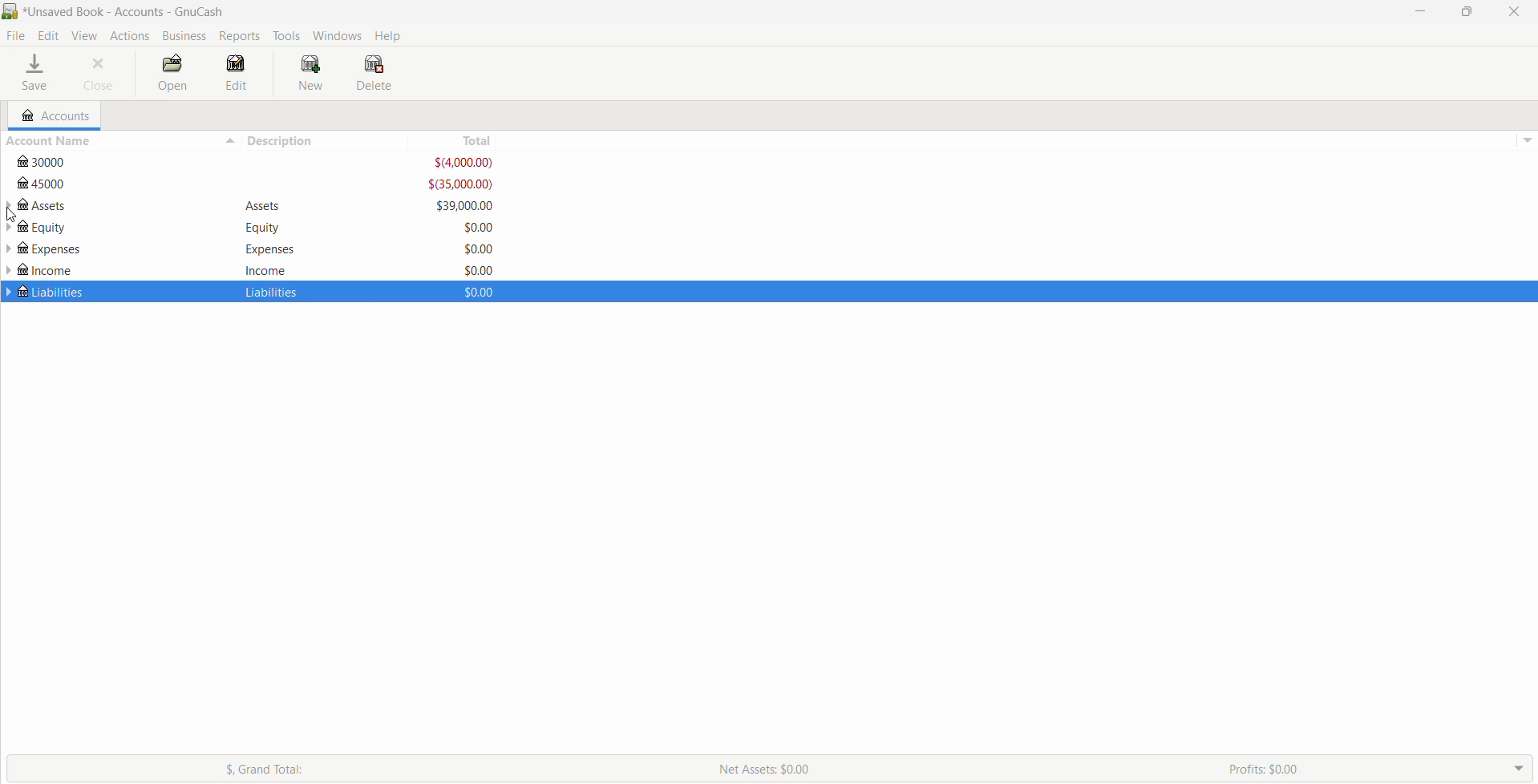 Image resolution: width=1538 pixels, height=784 pixels. What do you see at coordinates (476, 249) in the screenshot?
I see `$0.00` at bounding box center [476, 249].